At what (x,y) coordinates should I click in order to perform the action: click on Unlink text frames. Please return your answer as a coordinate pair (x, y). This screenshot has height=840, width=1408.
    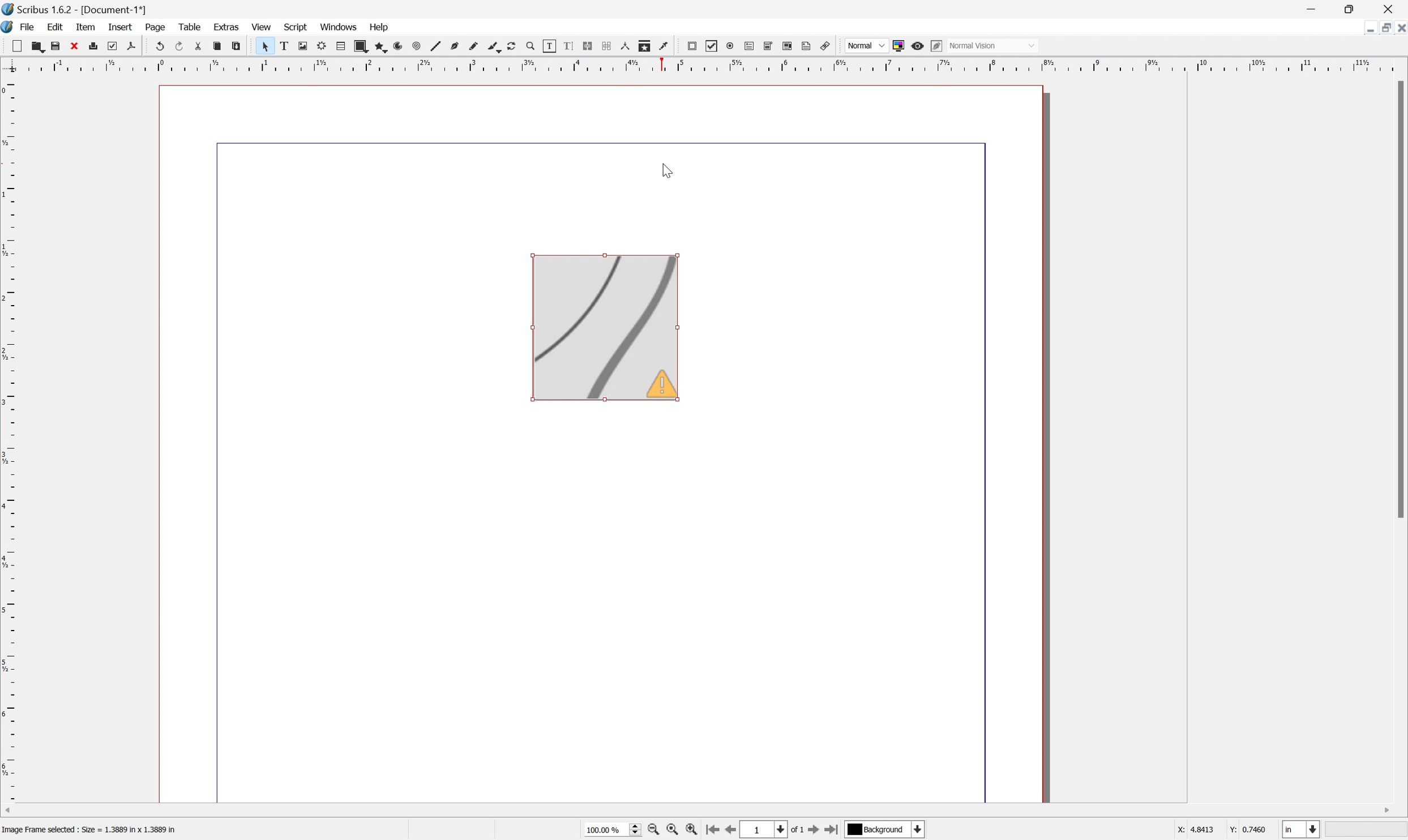
    Looking at the image, I should click on (610, 46).